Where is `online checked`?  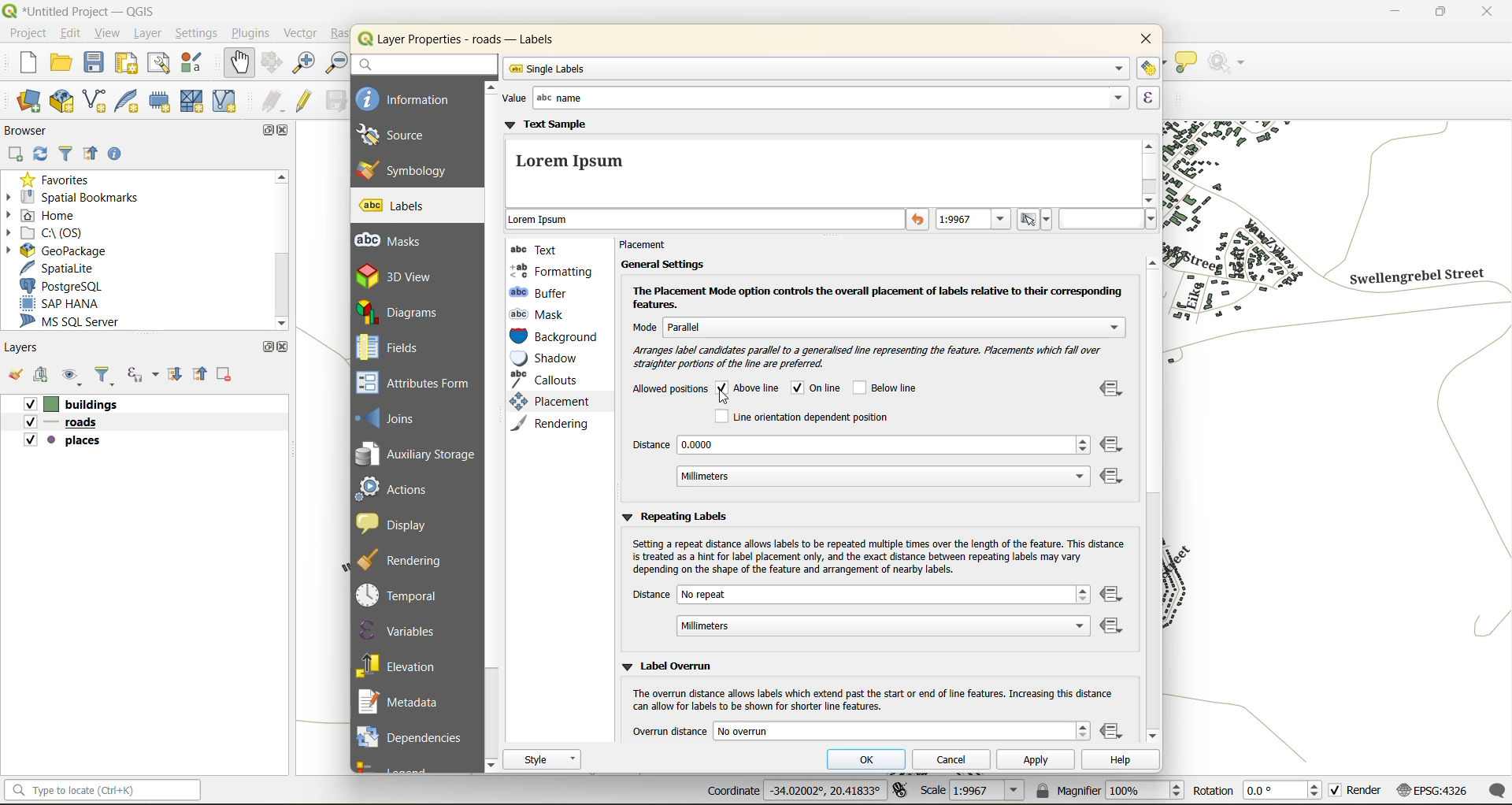 online checked is located at coordinates (822, 388).